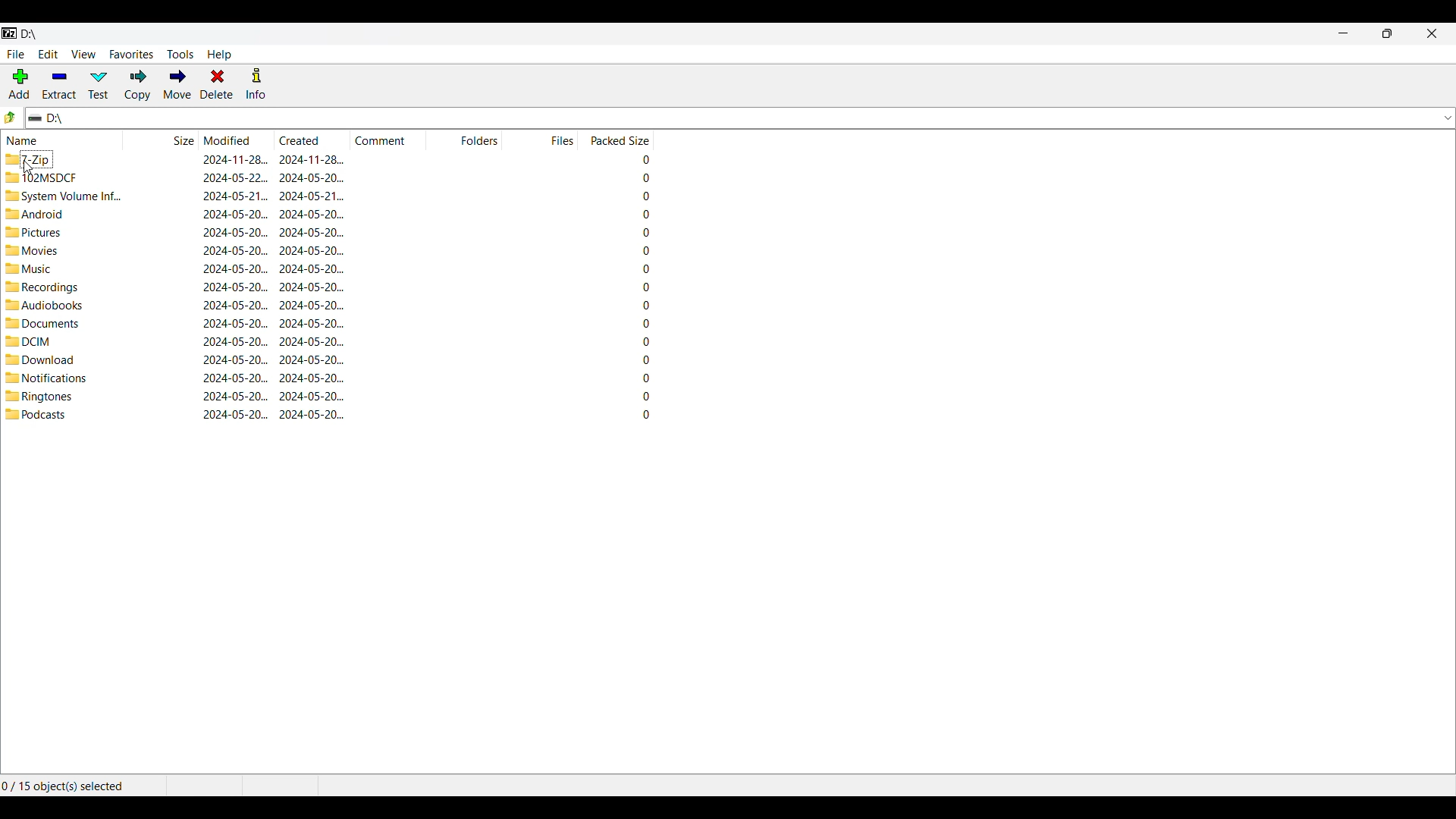  Describe the element at coordinates (99, 85) in the screenshot. I see `Test` at that location.